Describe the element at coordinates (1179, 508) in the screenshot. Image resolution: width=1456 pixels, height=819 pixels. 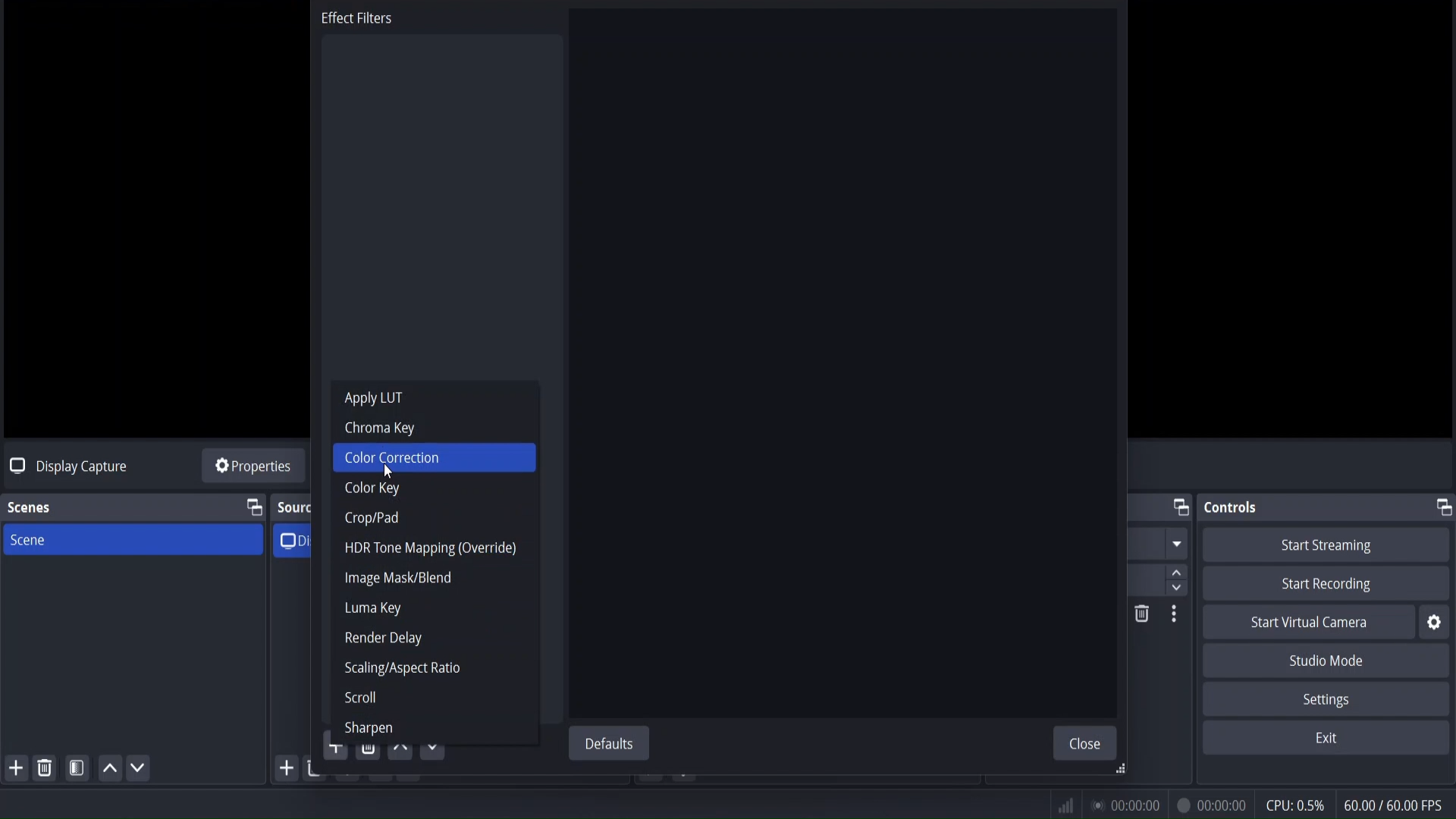
I see `change tab layout` at that location.